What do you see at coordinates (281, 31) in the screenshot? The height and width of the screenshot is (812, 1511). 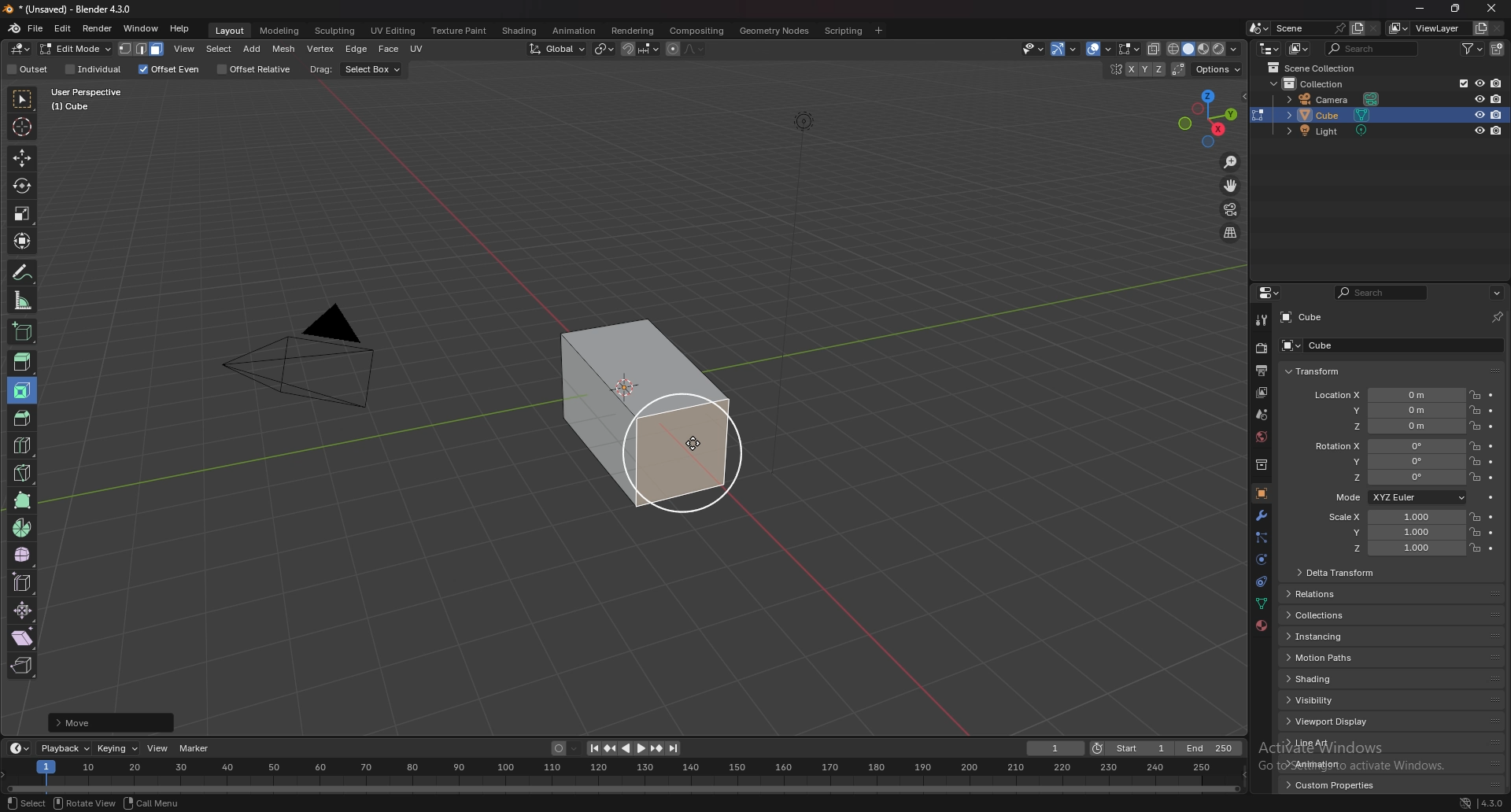 I see `modeling` at bounding box center [281, 31].